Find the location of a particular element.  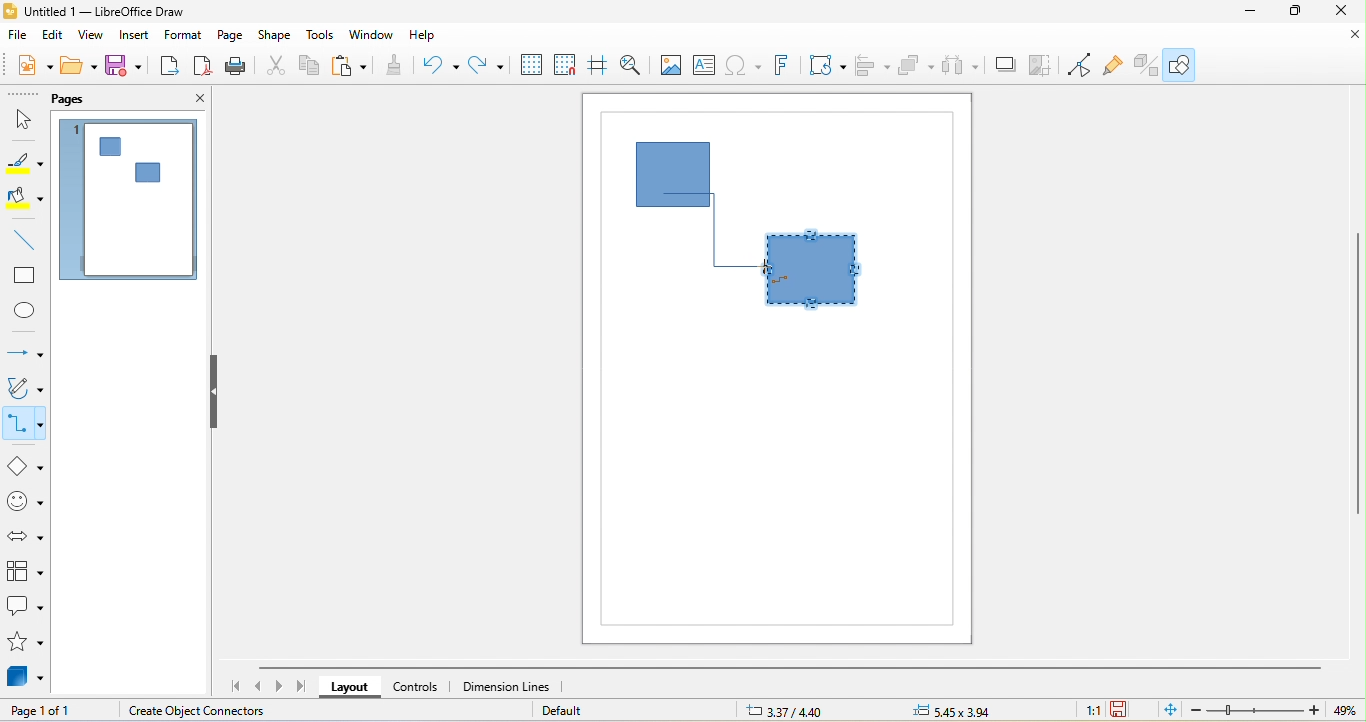

3d objects is located at coordinates (23, 677).